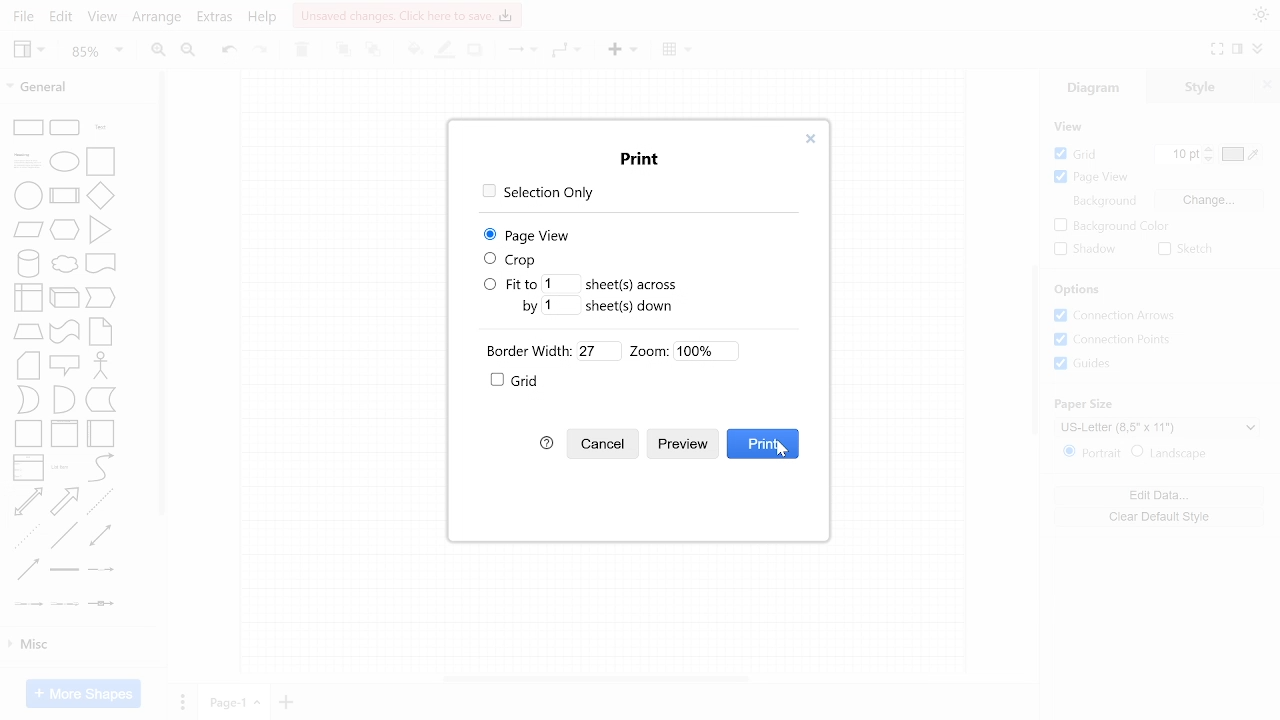 This screenshot has height=720, width=1280. Describe the element at coordinates (100, 263) in the screenshot. I see `Document` at that location.